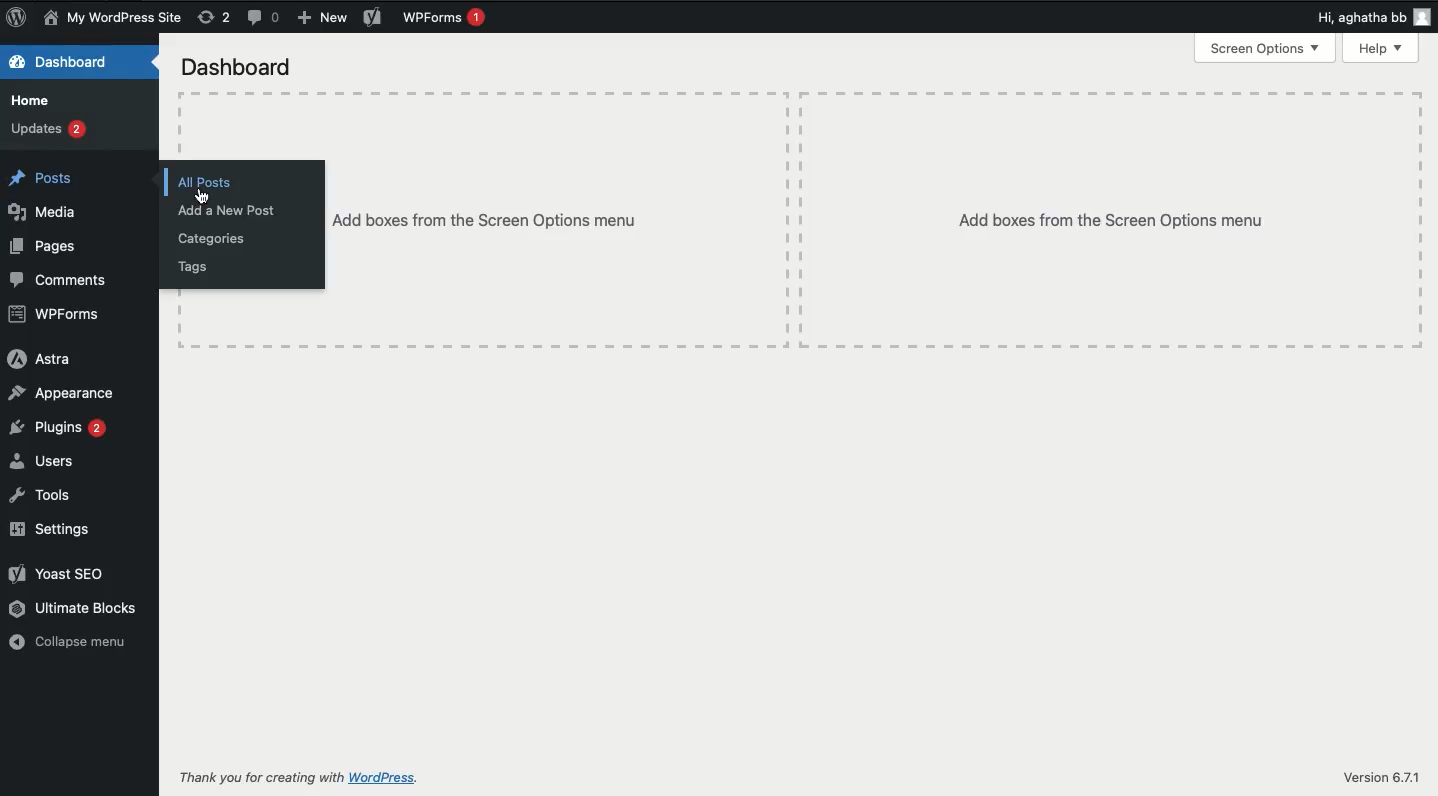 The width and height of the screenshot is (1438, 796). Describe the element at coordinates (55, 315) in the screenshot. I see `WPForms` at that location.